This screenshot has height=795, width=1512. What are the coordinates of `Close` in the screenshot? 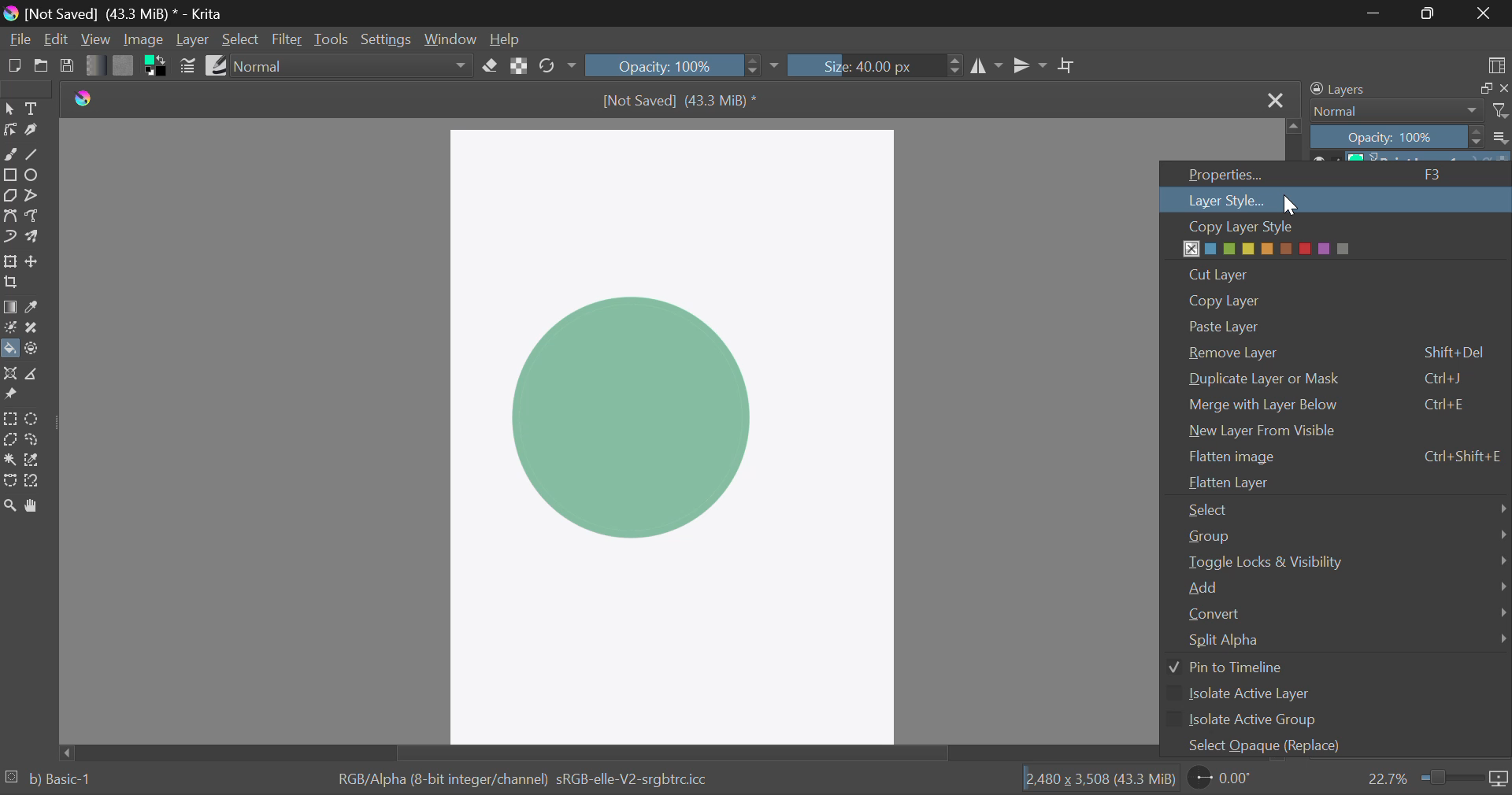 It's located at (1274, 100).